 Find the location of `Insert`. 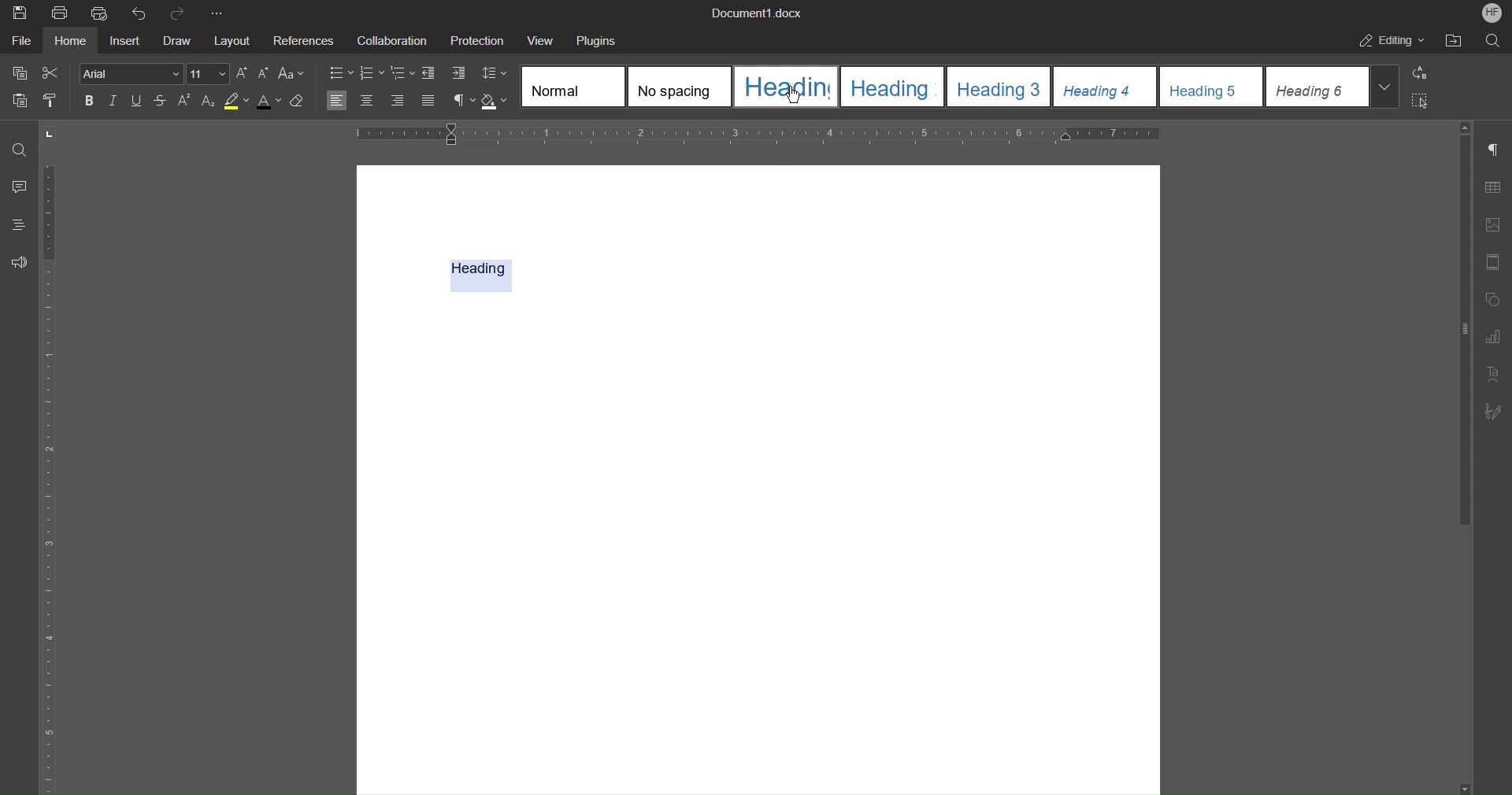

Insert is located at coordinates (128, 39).